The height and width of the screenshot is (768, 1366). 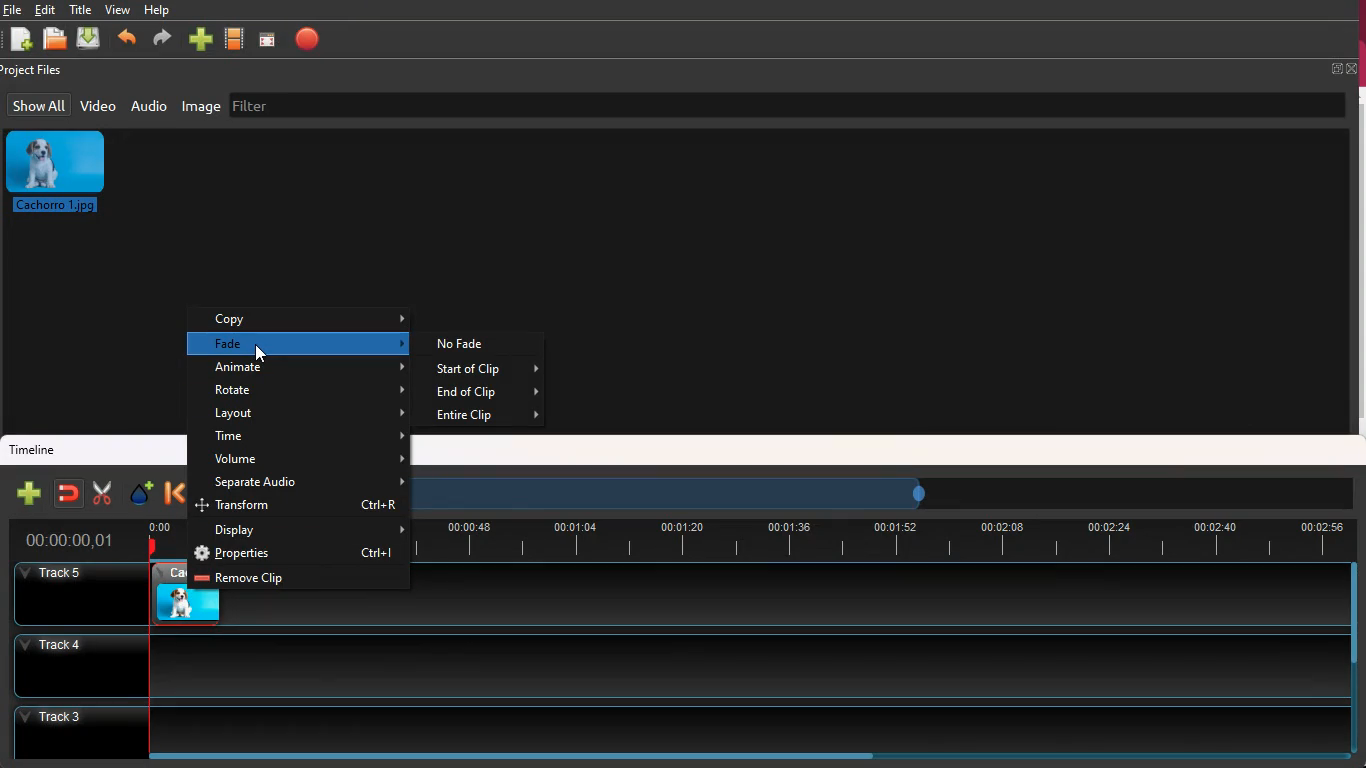 I want to click on animate, so click(x=312, y=369).